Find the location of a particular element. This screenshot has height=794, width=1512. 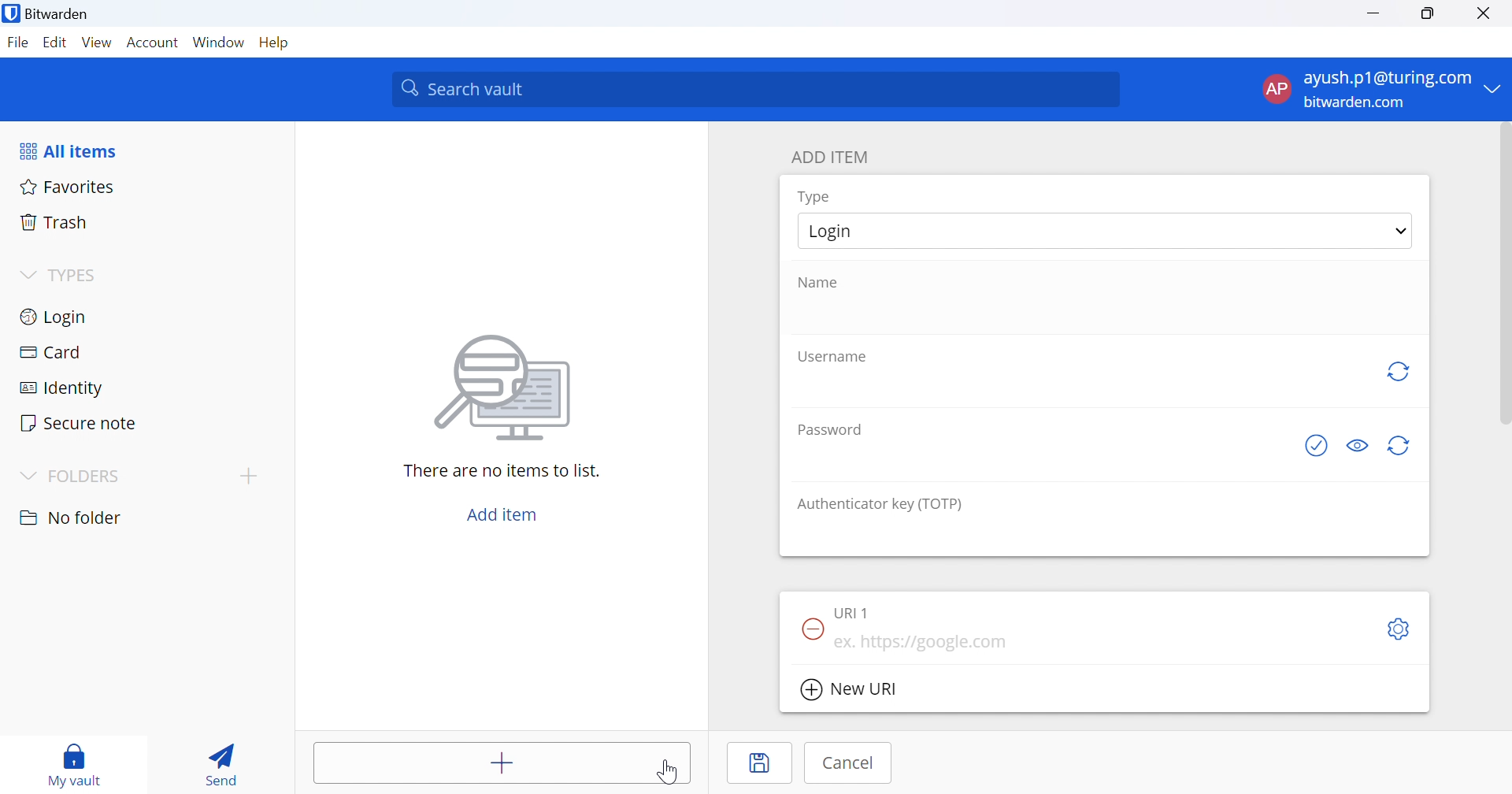

TYPES is located at coordinates (77, 276).